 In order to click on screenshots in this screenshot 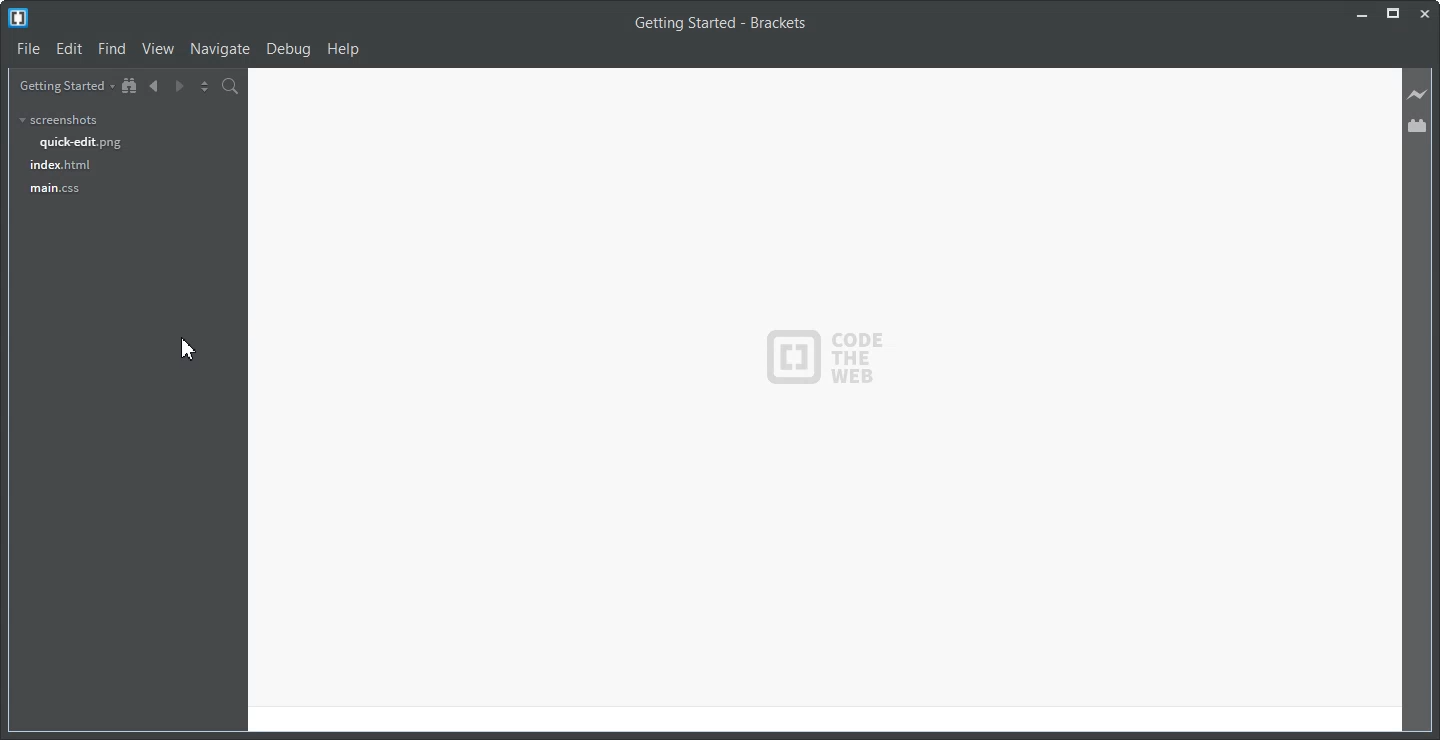, I will do `click(59, 121)`.